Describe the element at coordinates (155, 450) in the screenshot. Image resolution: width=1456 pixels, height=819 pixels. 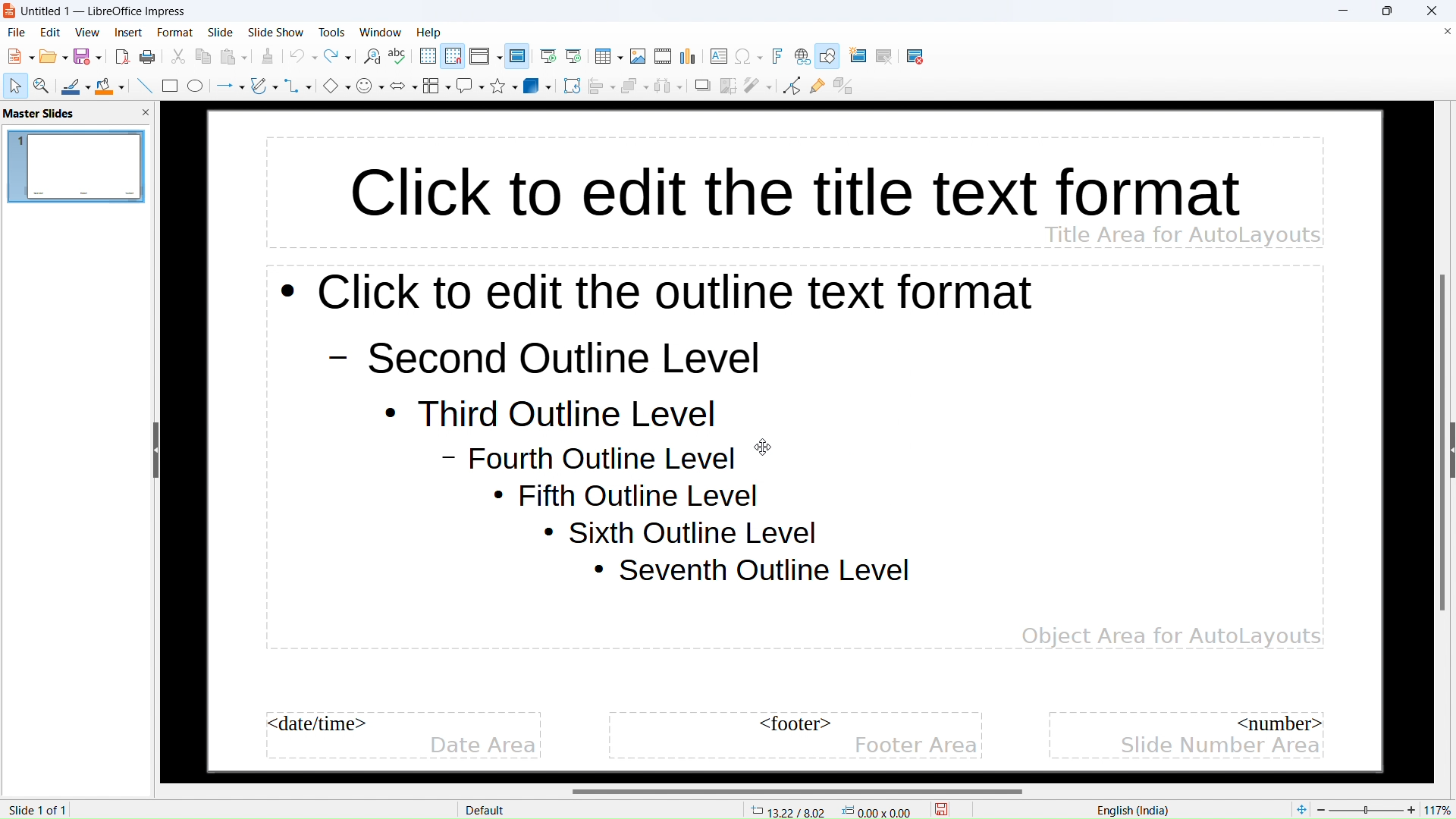
I see `hide sidebar` at that location.